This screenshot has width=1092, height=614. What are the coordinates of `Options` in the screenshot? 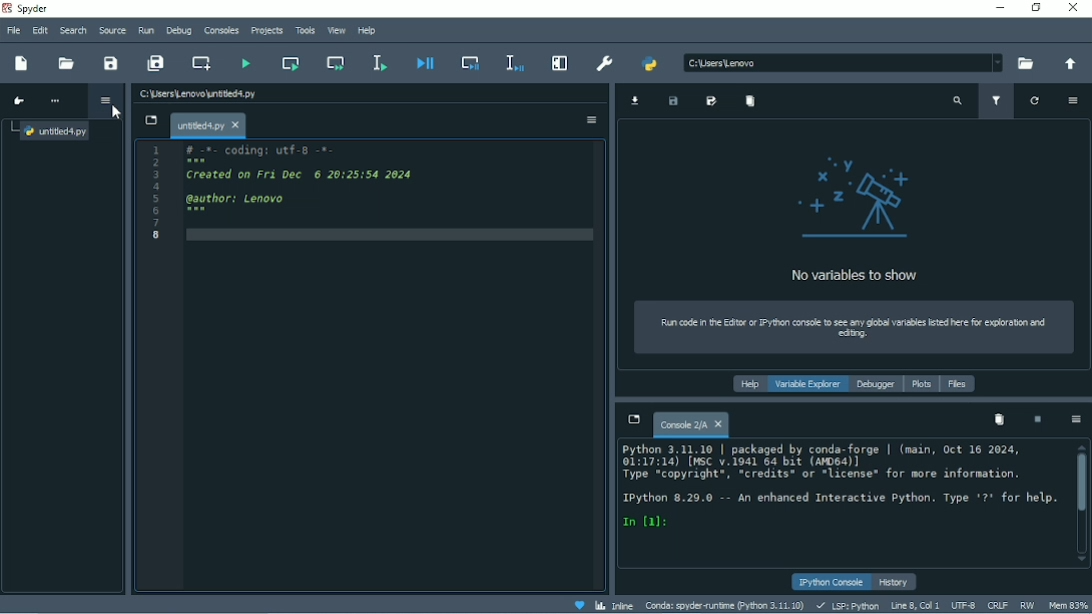 It's located at (592, 120).